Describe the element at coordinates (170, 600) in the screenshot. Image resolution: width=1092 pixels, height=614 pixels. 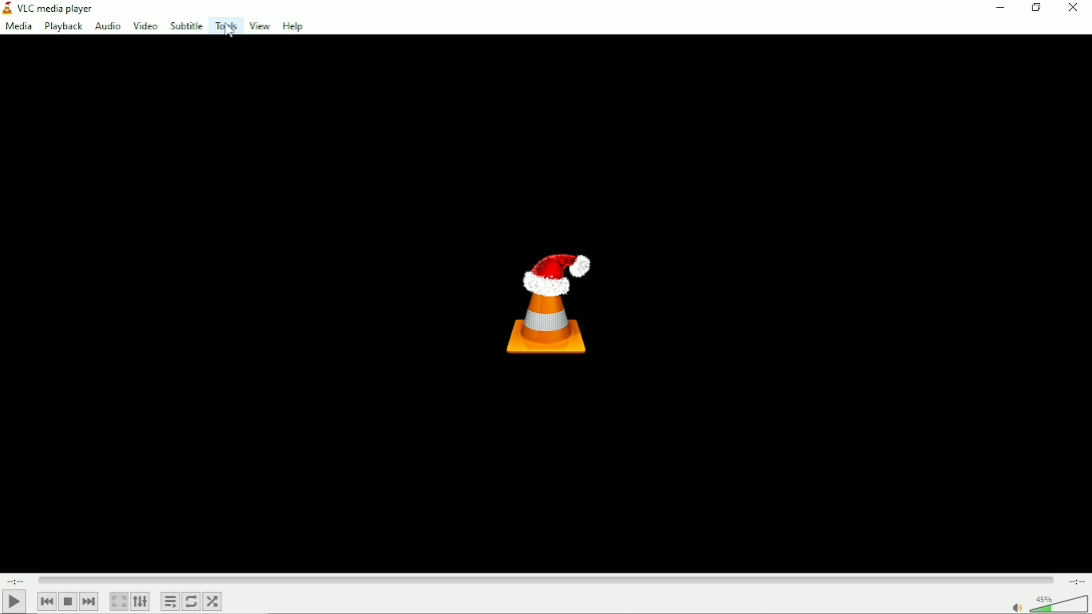
I see `Toggle playlist` at that location.